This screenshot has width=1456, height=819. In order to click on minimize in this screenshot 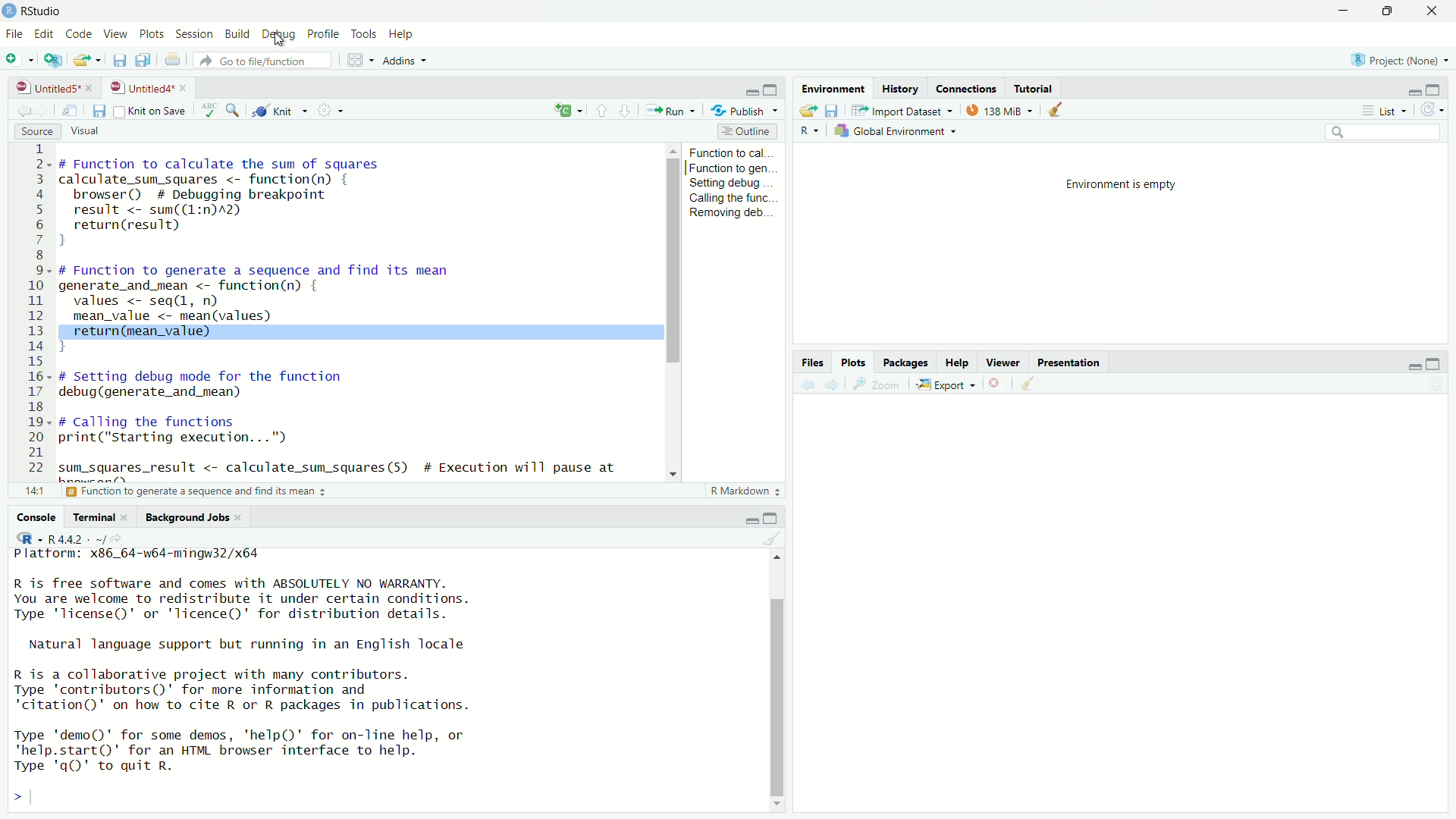, I will do `click(746, 91)`.